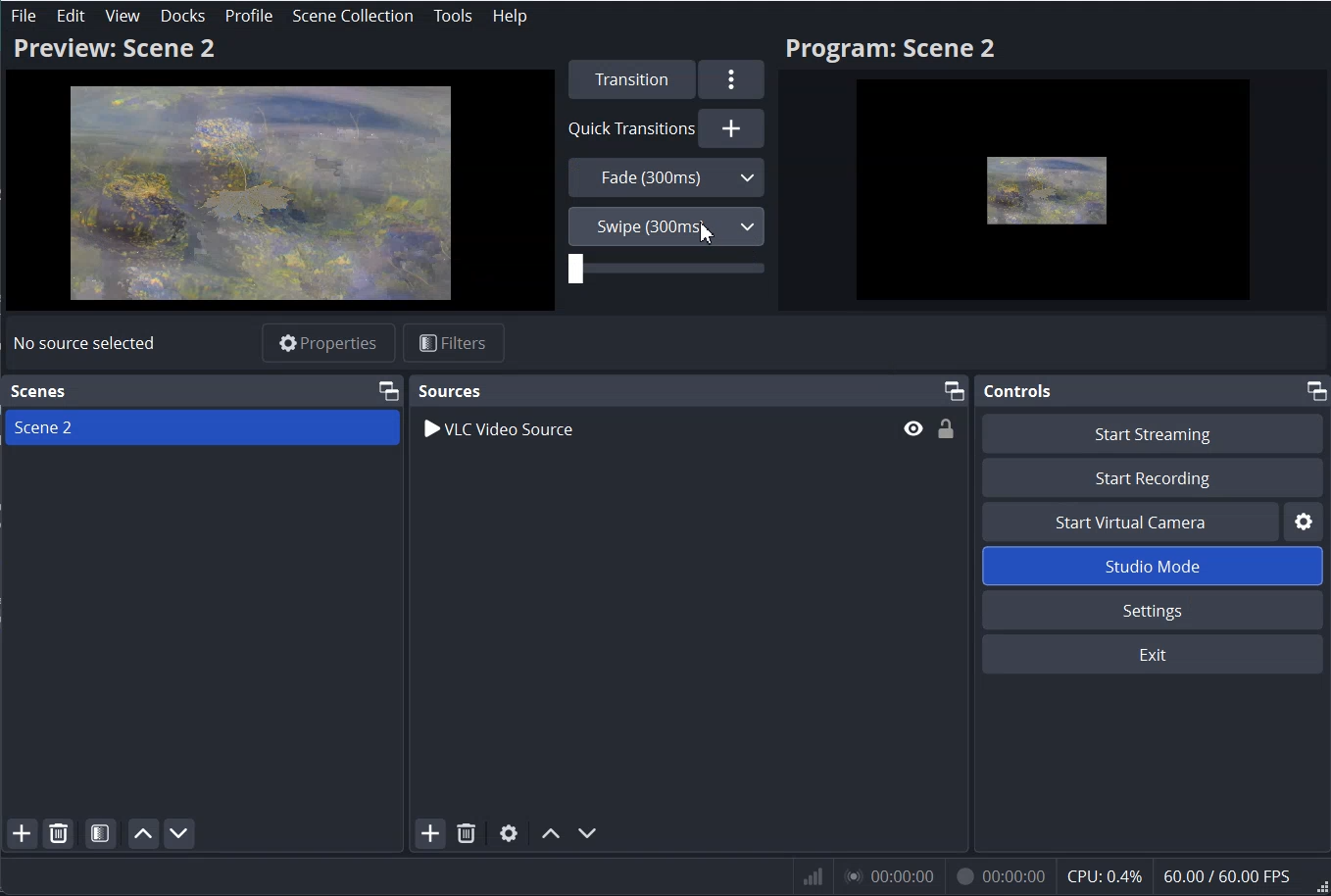 The width and height of the screenshot is (1331, 896). Describe the element at coordinates (1060, 874) in the screenshot. I see `Numeric Result` at that location.